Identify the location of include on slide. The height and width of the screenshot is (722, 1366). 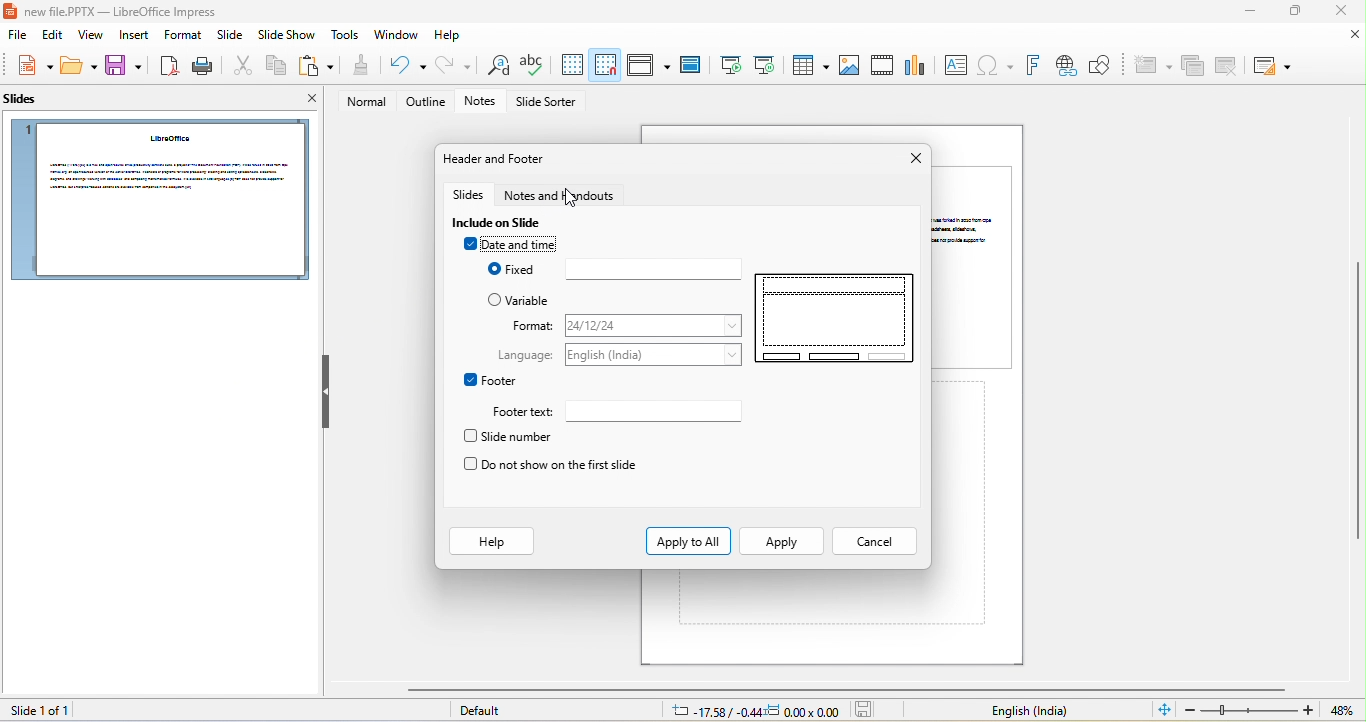
(502, 223).